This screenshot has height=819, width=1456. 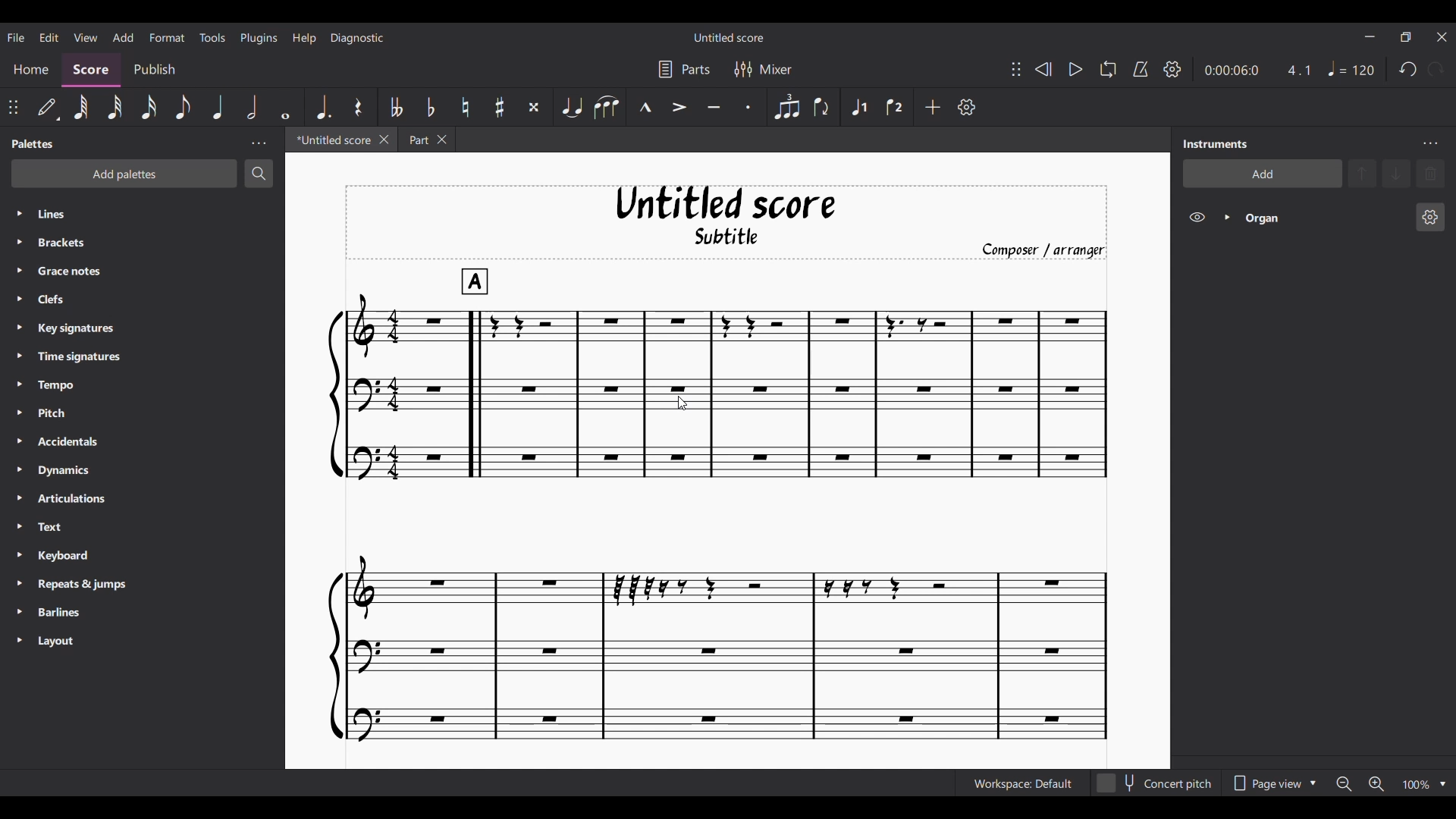 I want to click on Search, so click(x=259, y=174).